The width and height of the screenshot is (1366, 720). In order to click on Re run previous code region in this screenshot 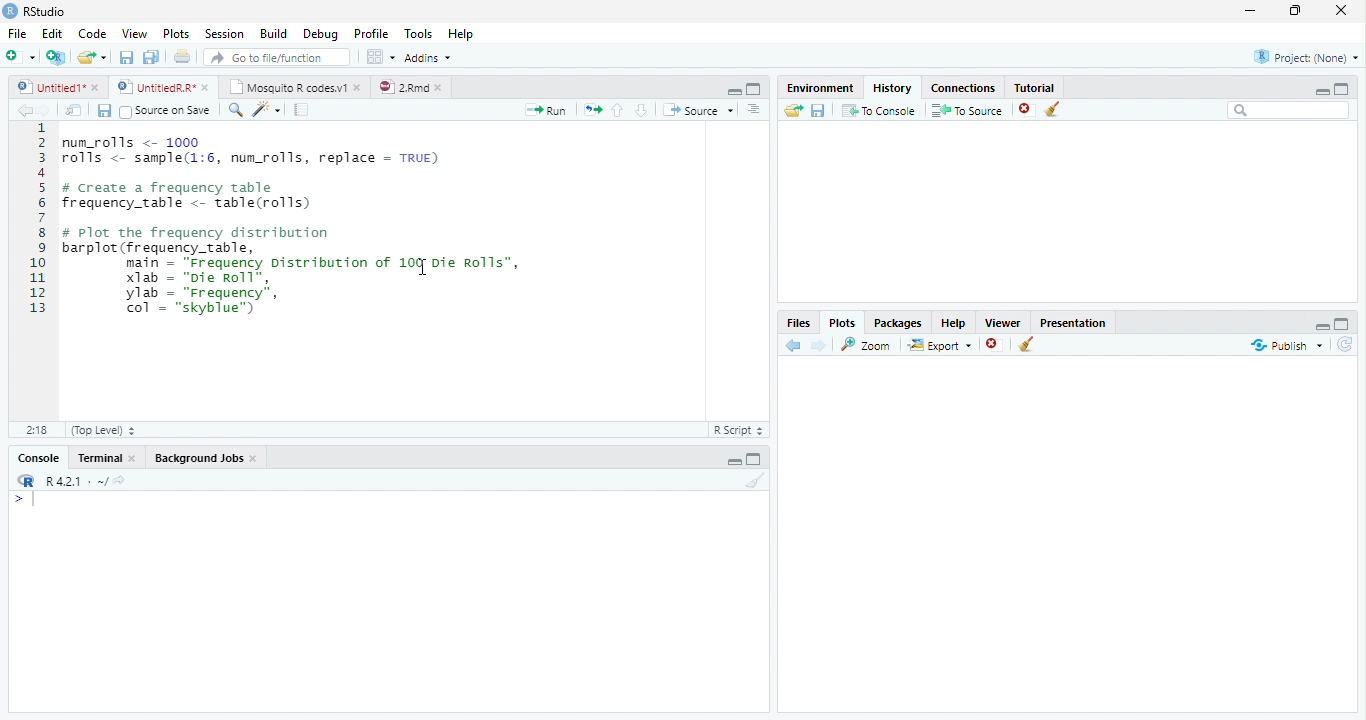, I will do `click(591, 111)`.